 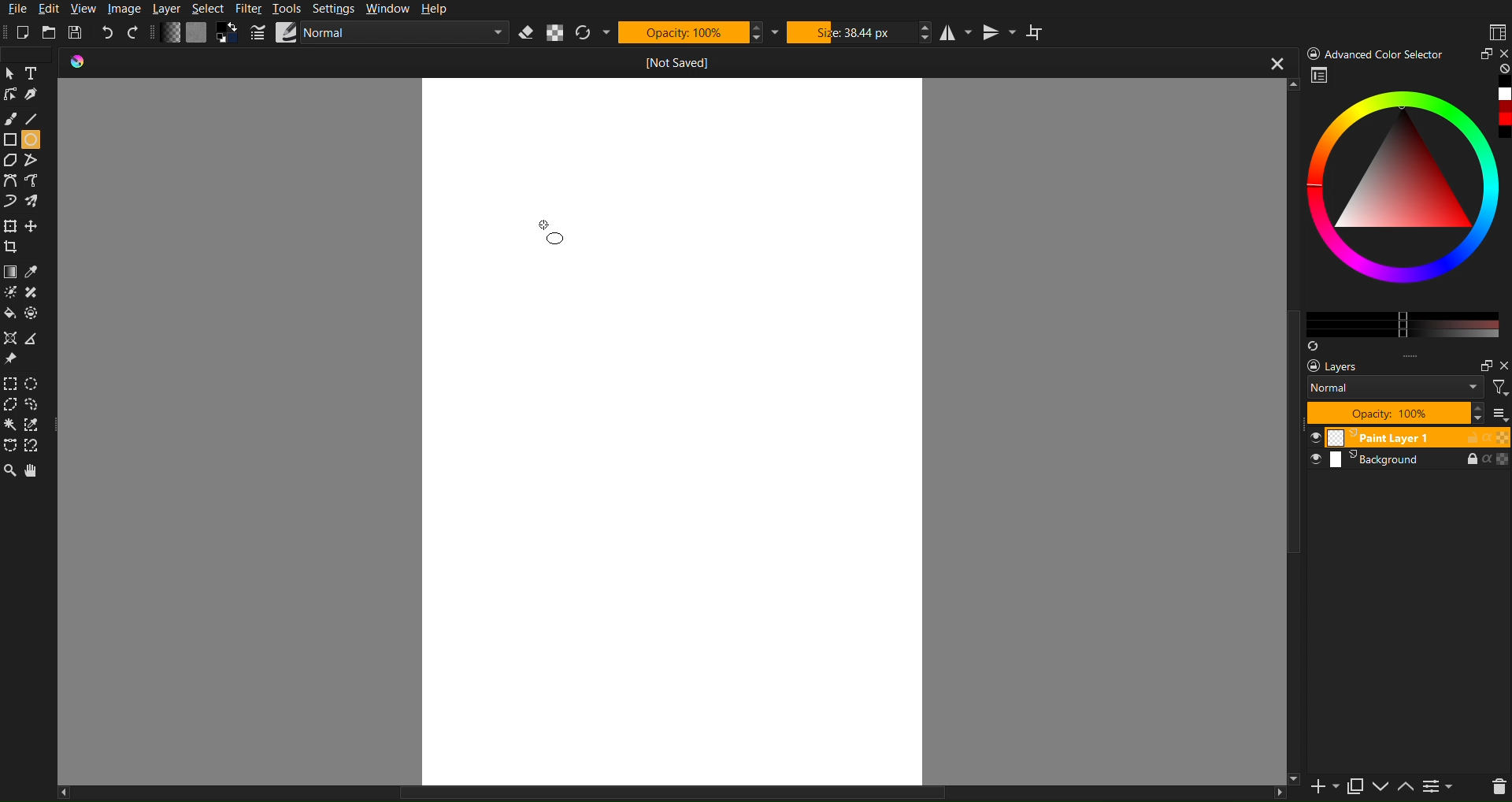 What do you see at coordinates (209, 32) in the screenshot?
I see `Color Settings` at bounding box center [209, 32].